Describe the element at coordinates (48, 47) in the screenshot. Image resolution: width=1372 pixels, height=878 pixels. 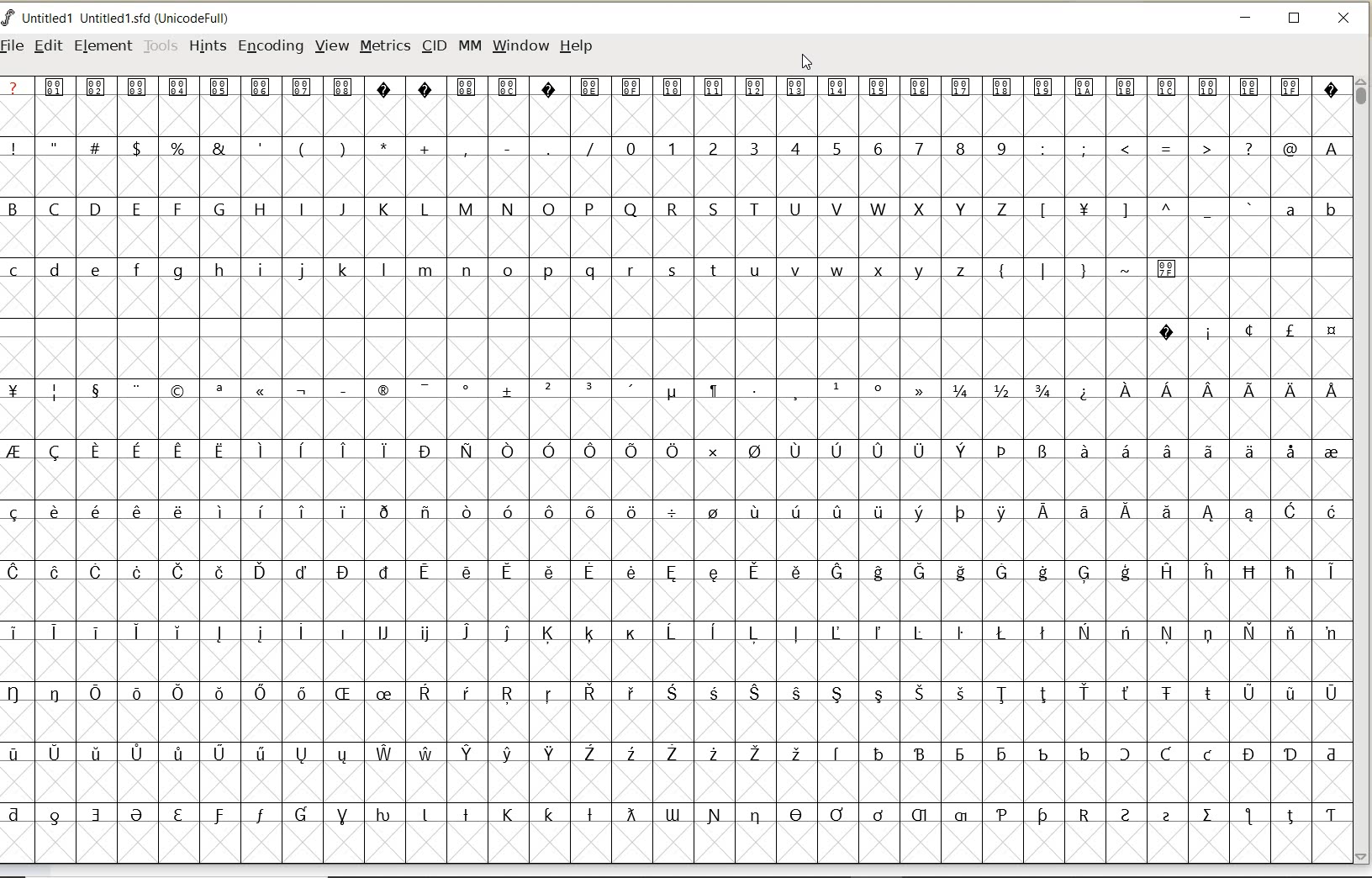
I see `EDIT` at that location.